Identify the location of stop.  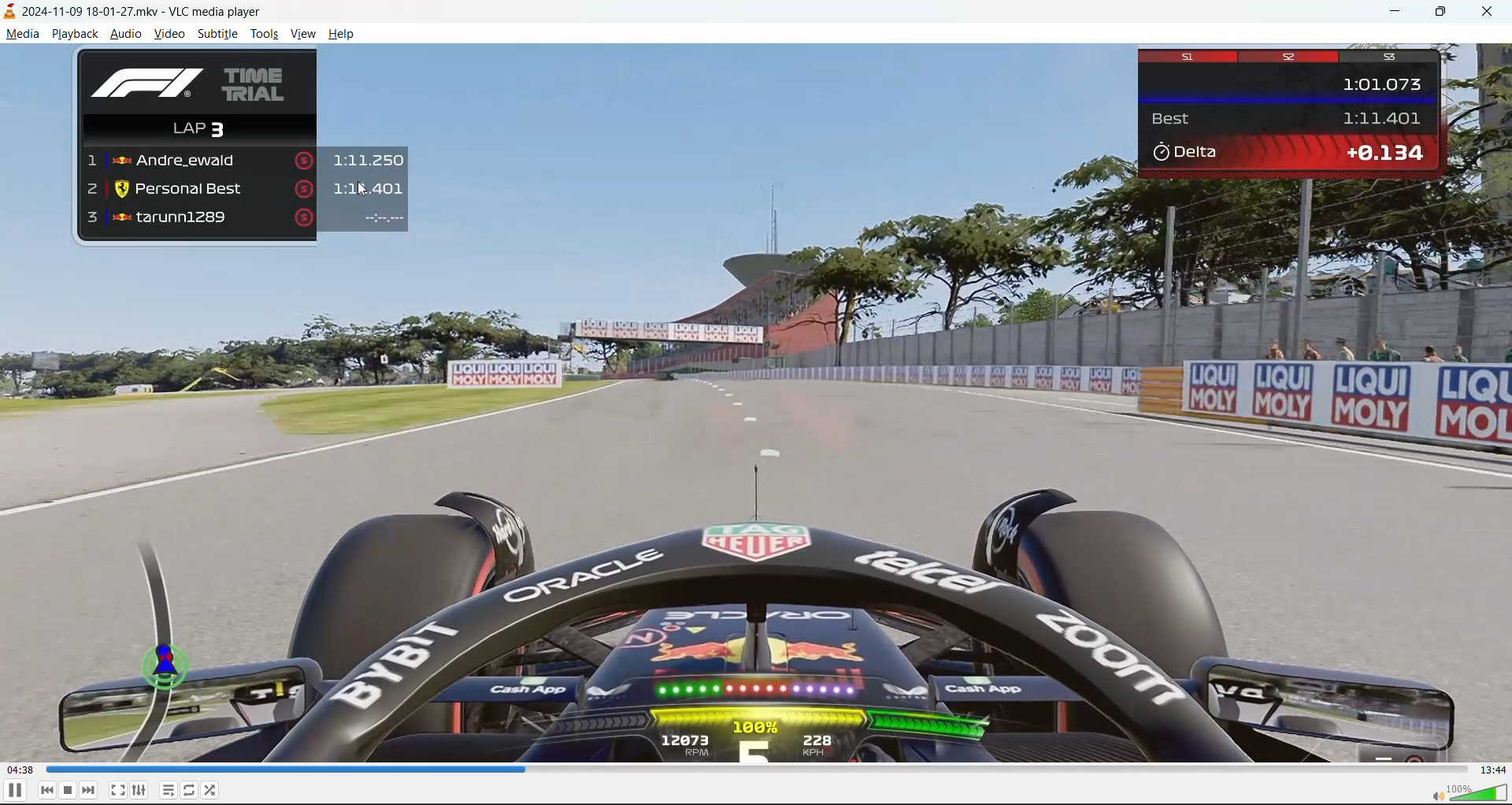
(66, 791).